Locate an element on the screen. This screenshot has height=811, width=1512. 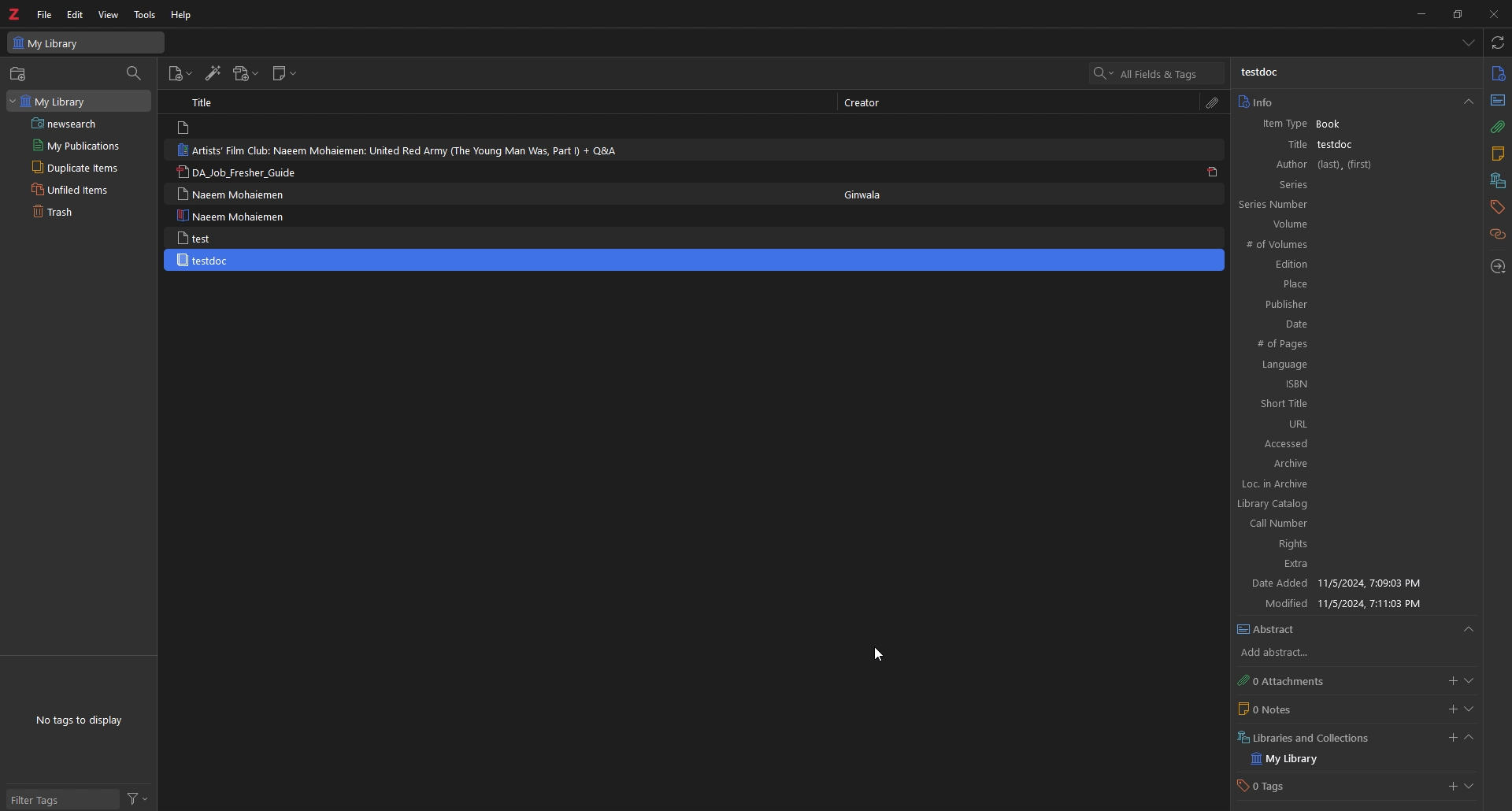
view is located at coordinates (109, 15).